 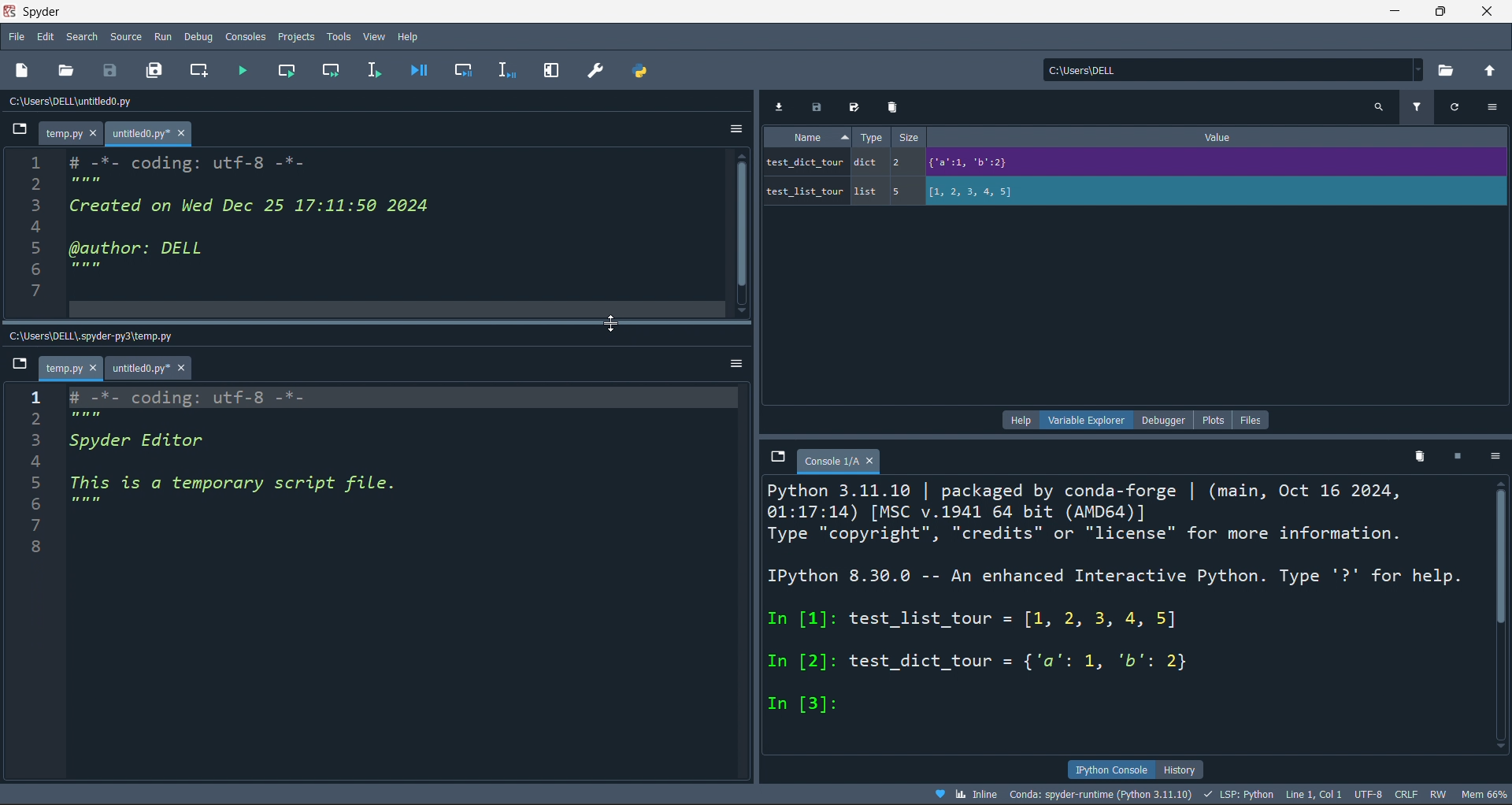 I want to click on open directory, so click(x=1450, y=69).